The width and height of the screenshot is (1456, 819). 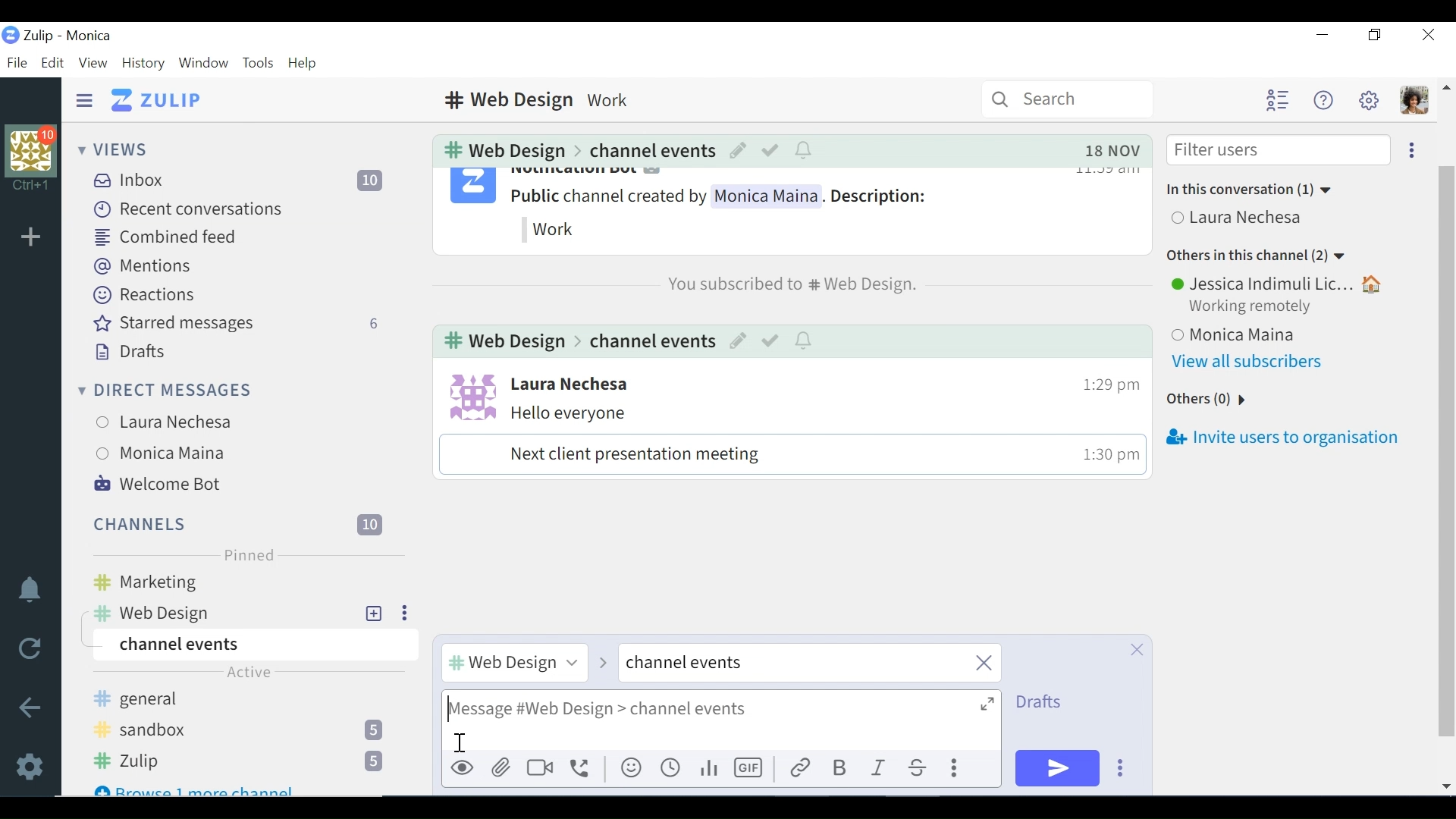 I want to click on Edit, so click(x=736, y=149).